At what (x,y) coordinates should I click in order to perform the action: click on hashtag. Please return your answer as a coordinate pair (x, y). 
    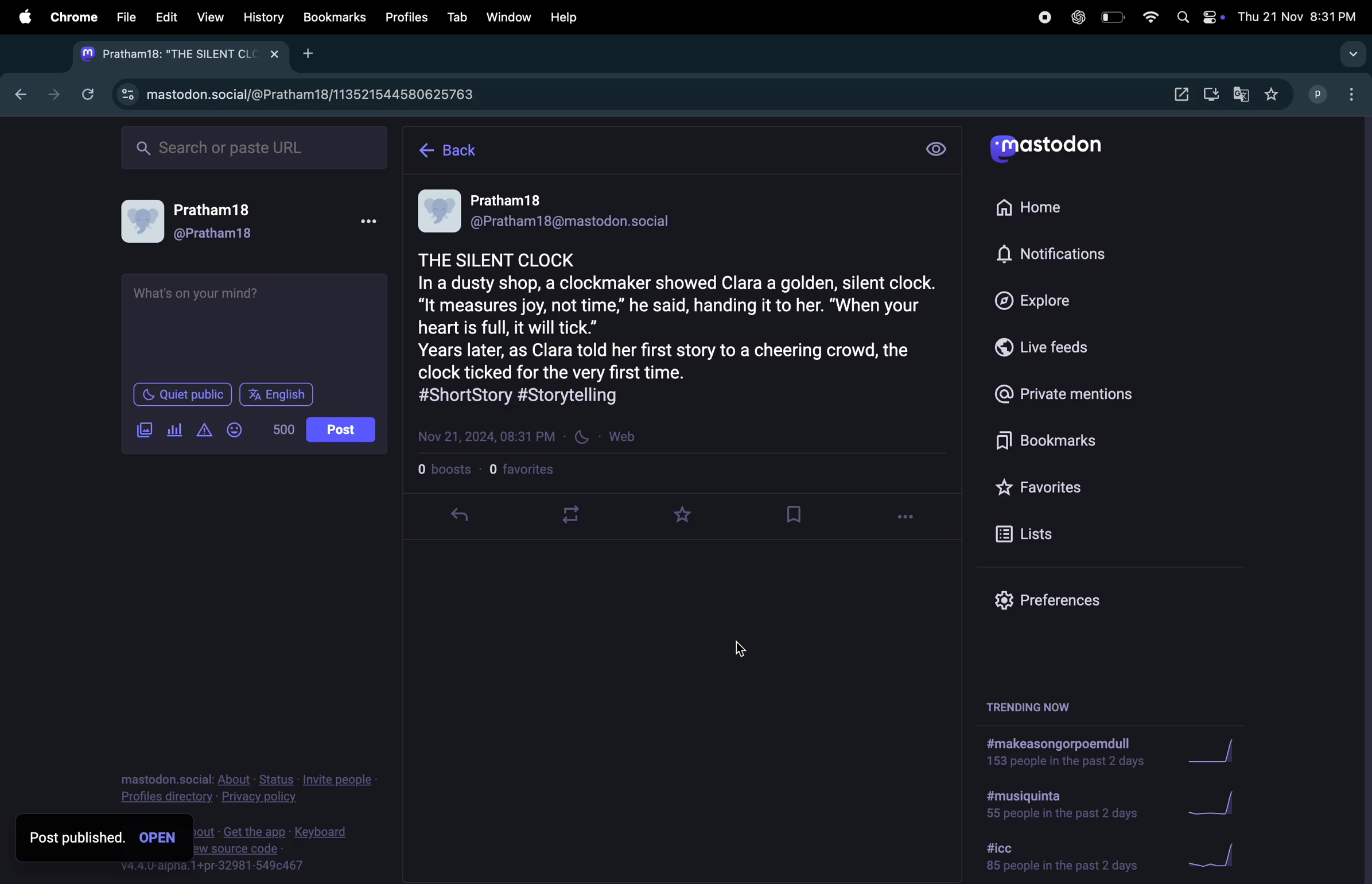
    Looking at the image, I should click on (1061, 855).